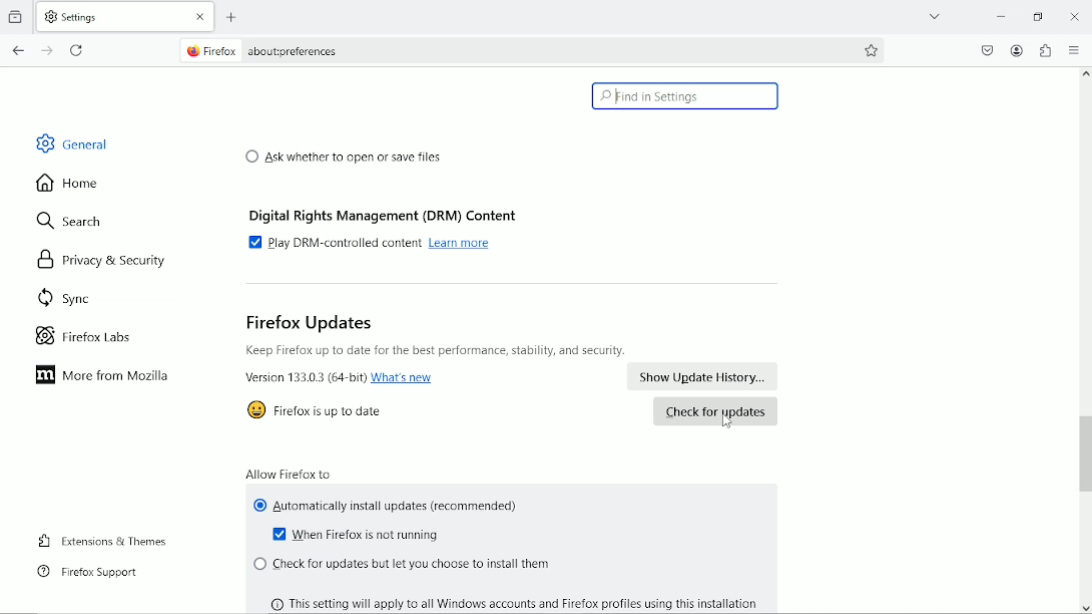  Describe the element at coordinates (685, 96) in the screenshot. I see `find in settings` at that location.